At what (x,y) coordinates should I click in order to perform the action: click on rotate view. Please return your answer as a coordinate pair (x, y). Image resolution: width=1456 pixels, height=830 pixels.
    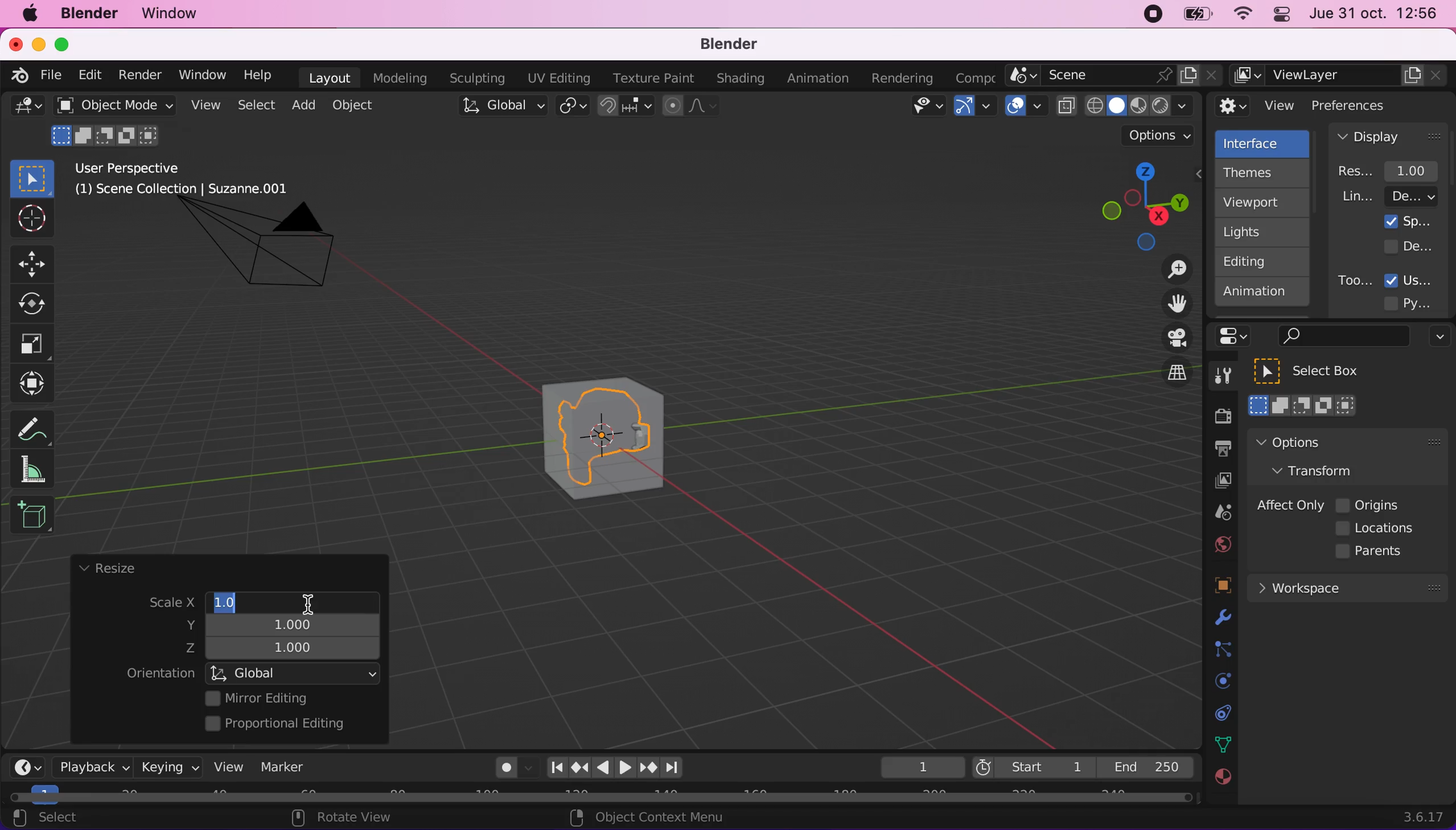
    Looking at the image, I should click on (353, 819).